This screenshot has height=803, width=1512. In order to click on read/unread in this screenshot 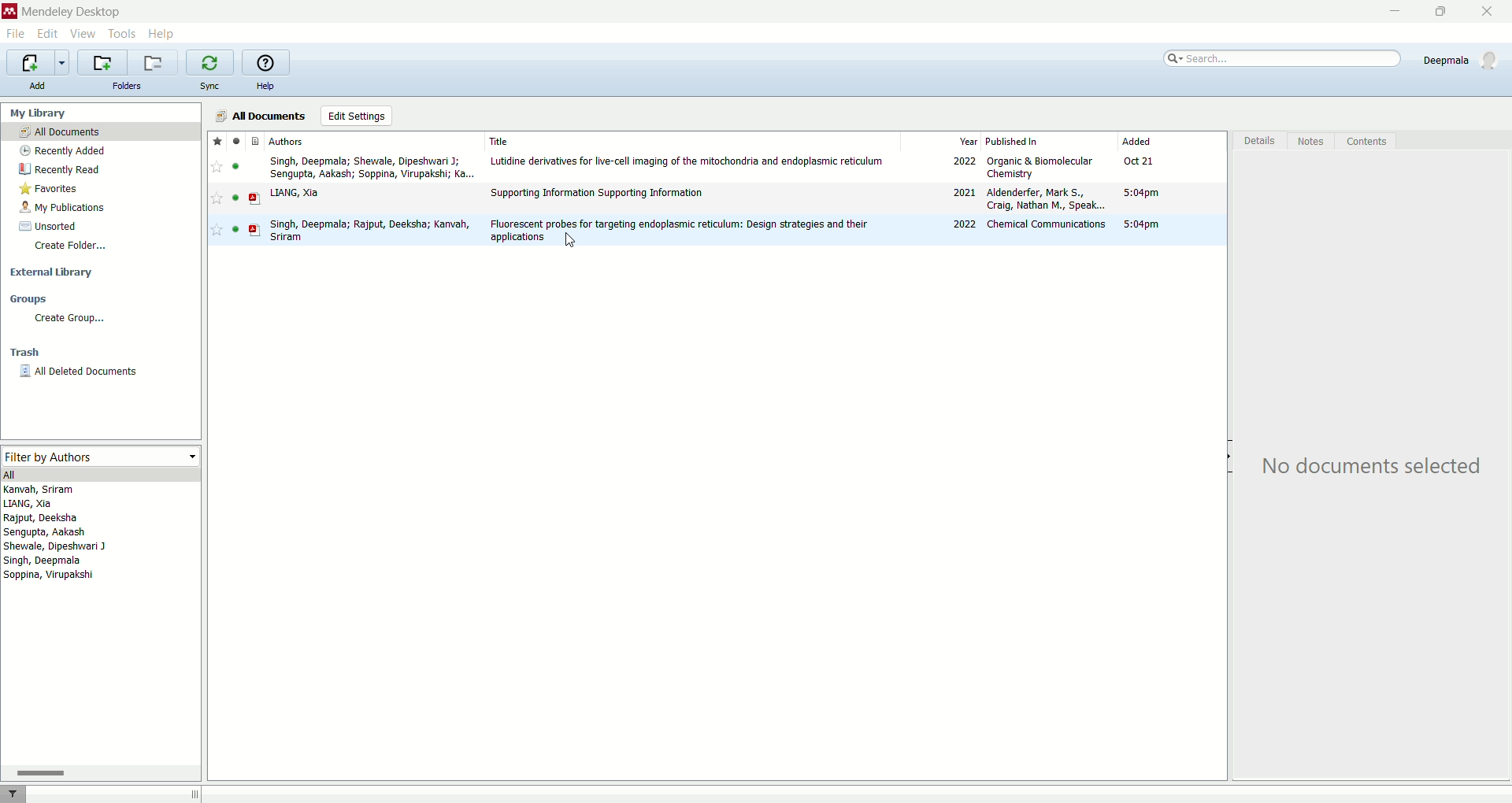, I will do `click(235, 140)`.